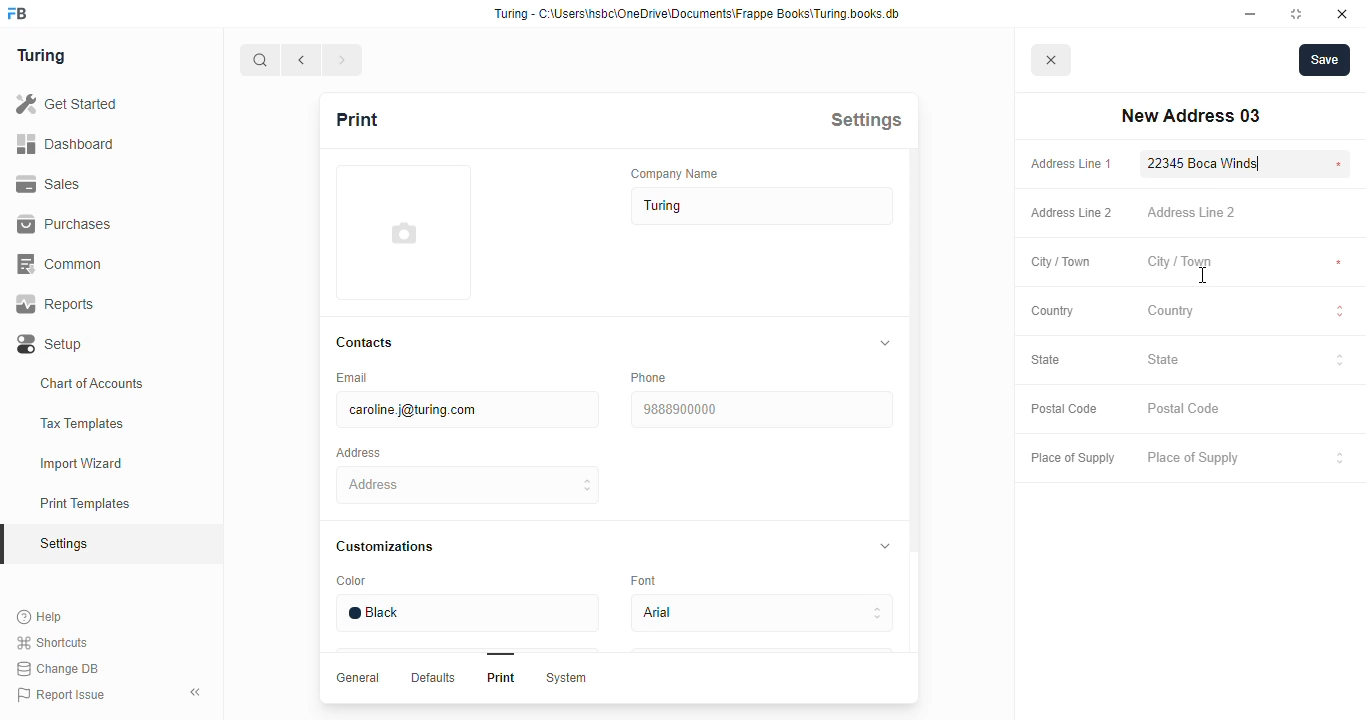 The image size is (1366, 720). What do you see at coordinates (466, 410) in the screenshot?
I see `caroline.j@turing.com` at bounding box center [466, 410].